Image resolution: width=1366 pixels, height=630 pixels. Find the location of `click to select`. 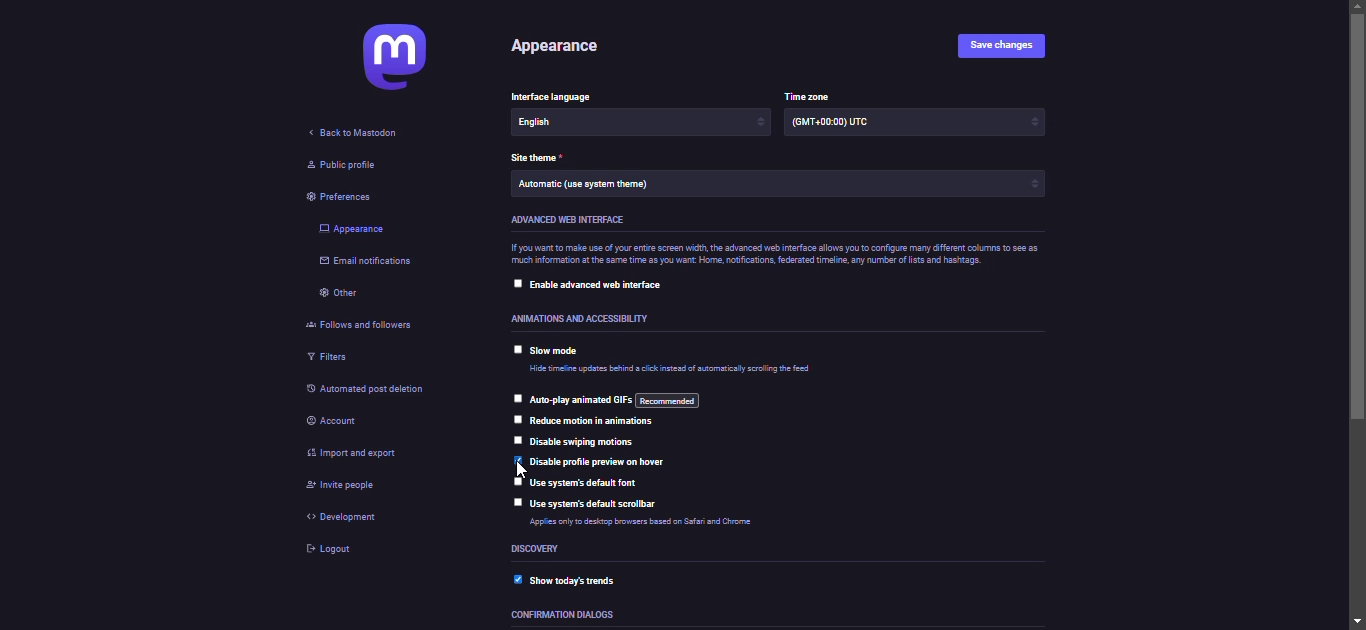

click to select is located at coordinates (517, 439).